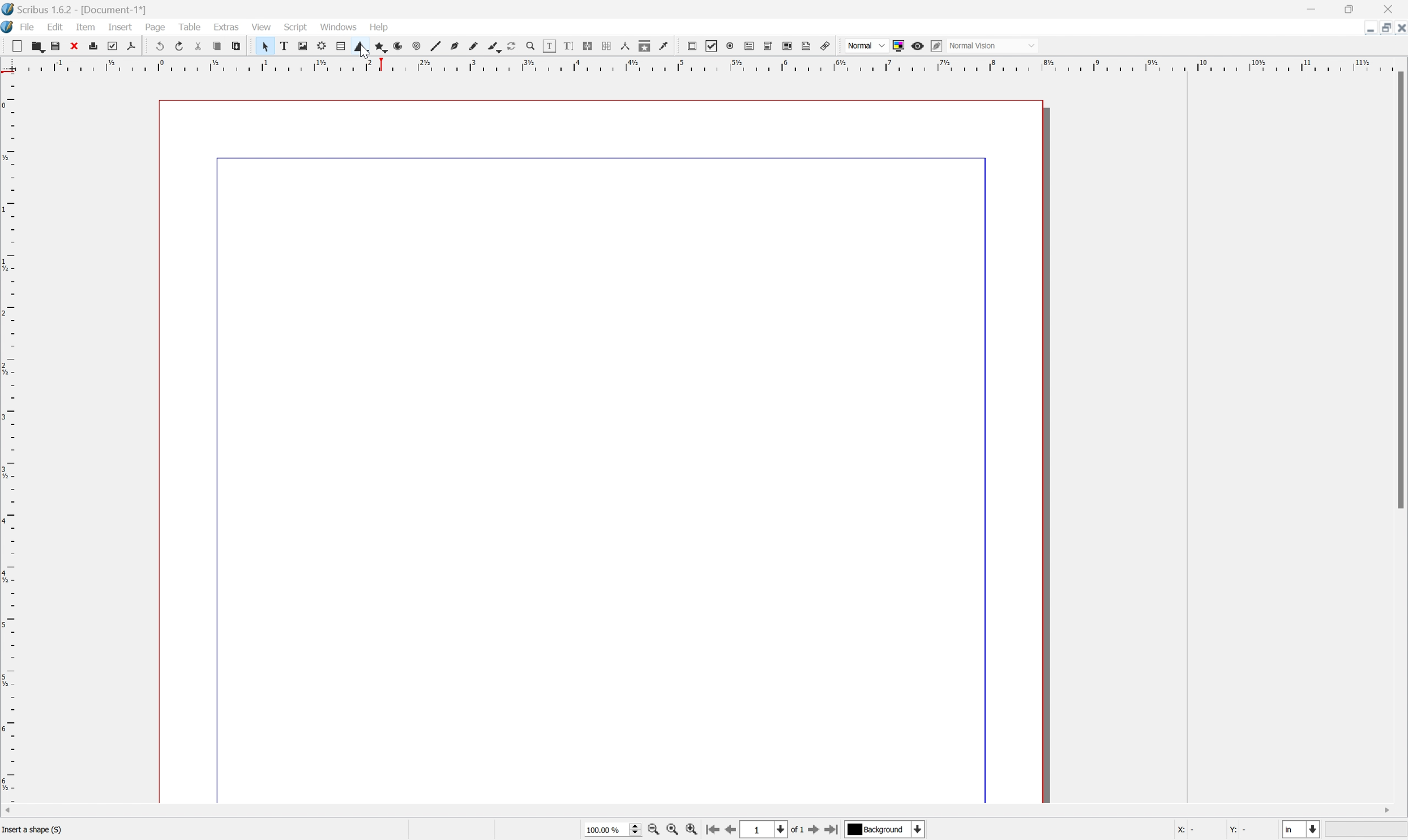  What do you see at coordinates (92, 45) in the screenshot?
I see `Print` at bounding box center [92, 45].